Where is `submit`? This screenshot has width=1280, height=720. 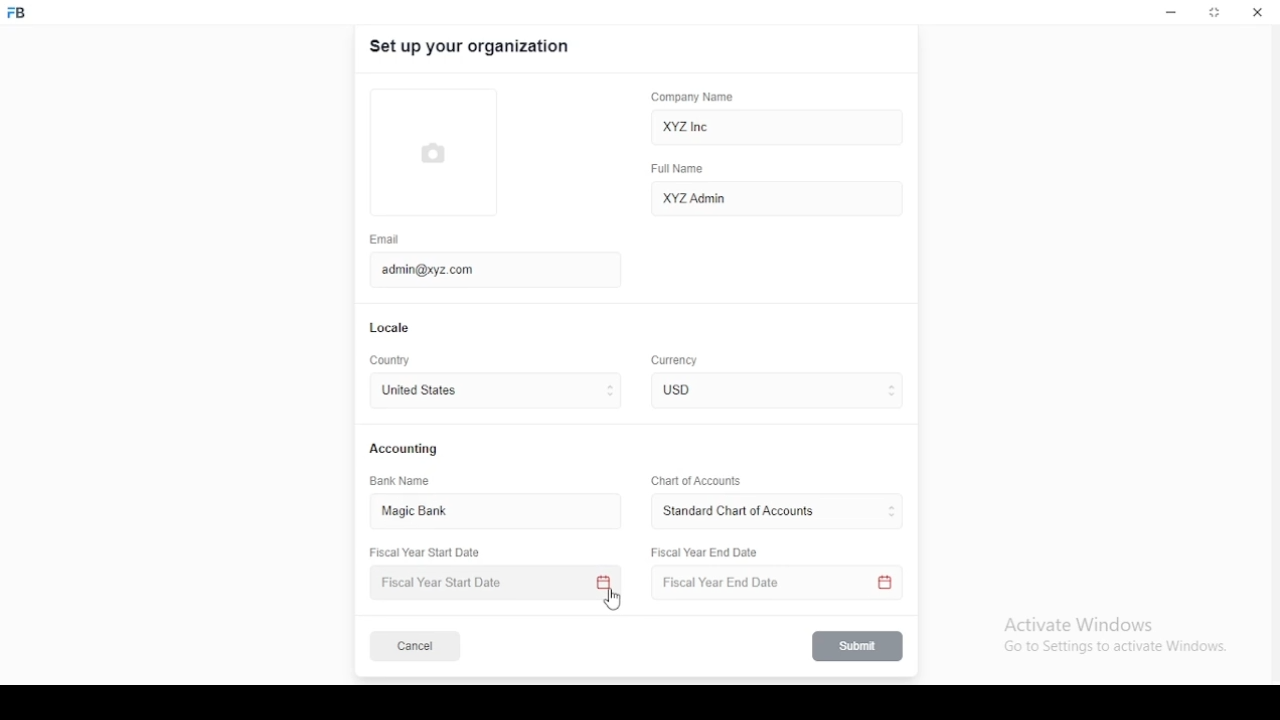
submit is located at coordinates (859, 646).